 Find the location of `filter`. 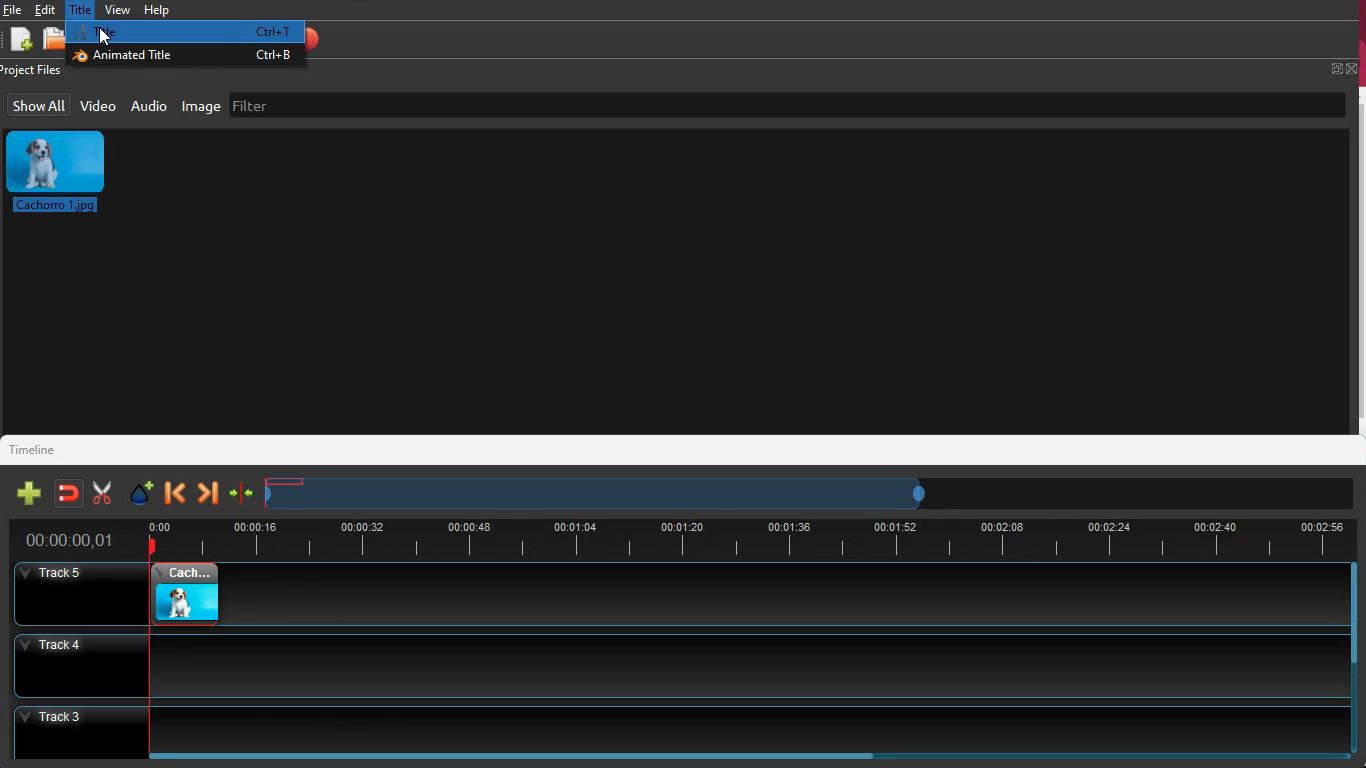

filter is located at coordinates (359, 103).